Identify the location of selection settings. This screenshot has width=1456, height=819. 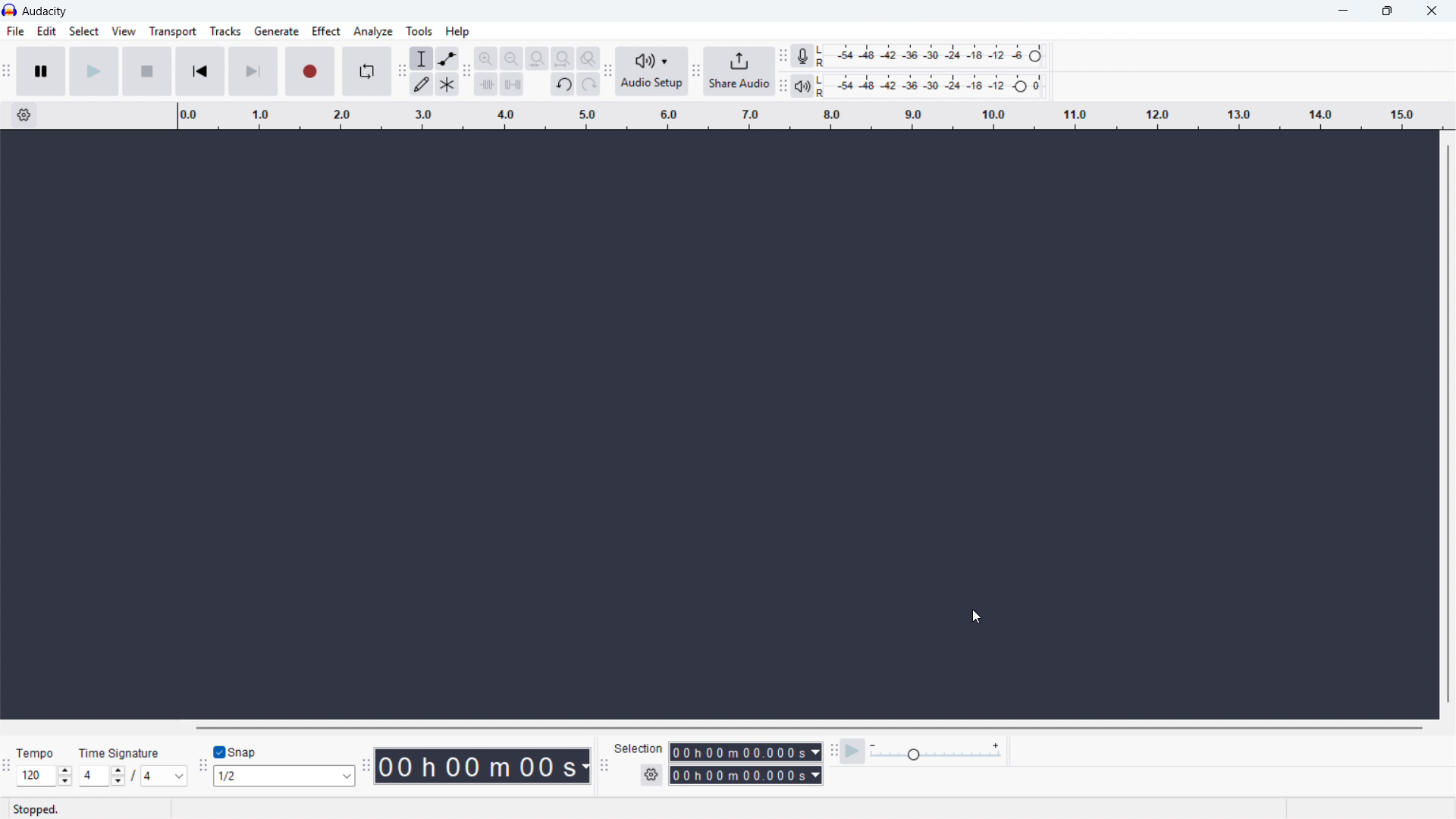
(652, 775).